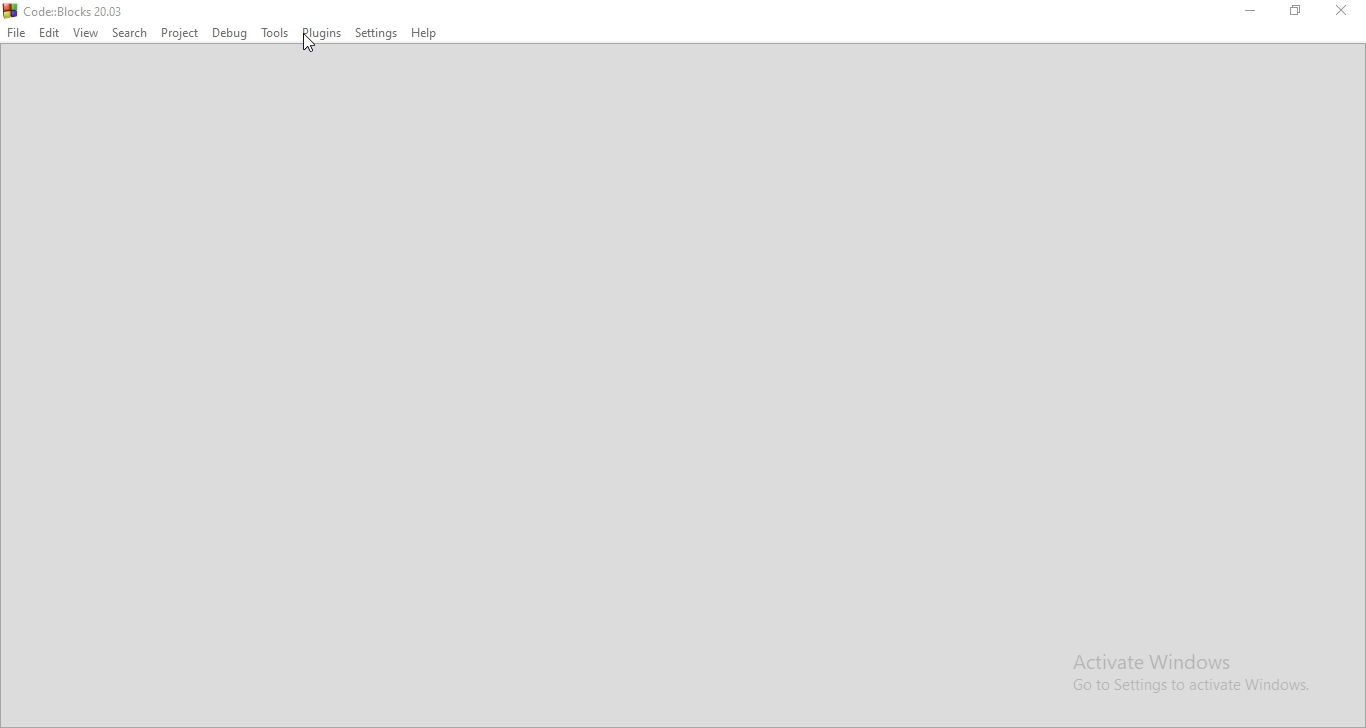  I want to click on View, so click(85, 33).